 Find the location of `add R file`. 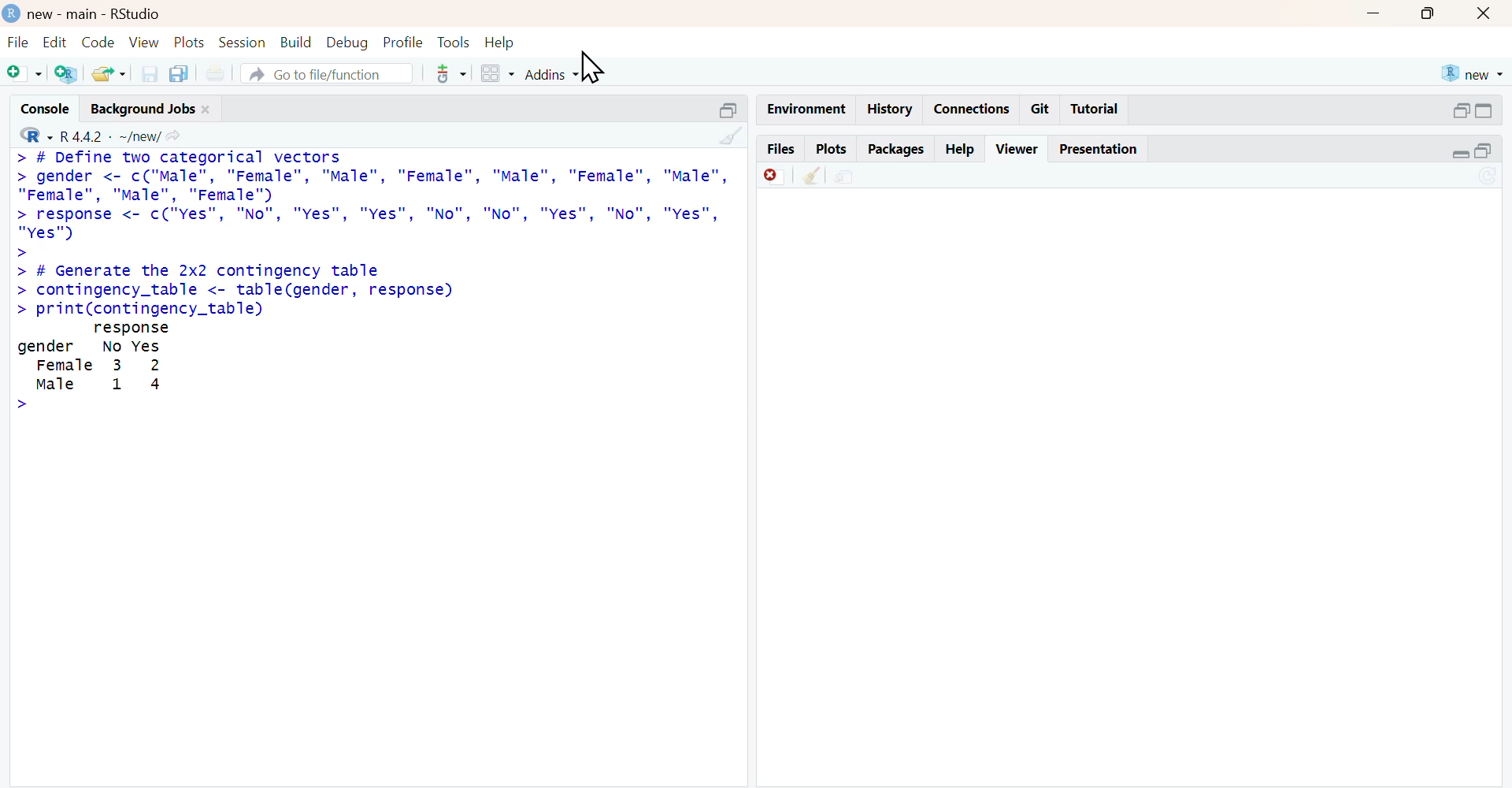

add R file is located at coordinates (69, 74).